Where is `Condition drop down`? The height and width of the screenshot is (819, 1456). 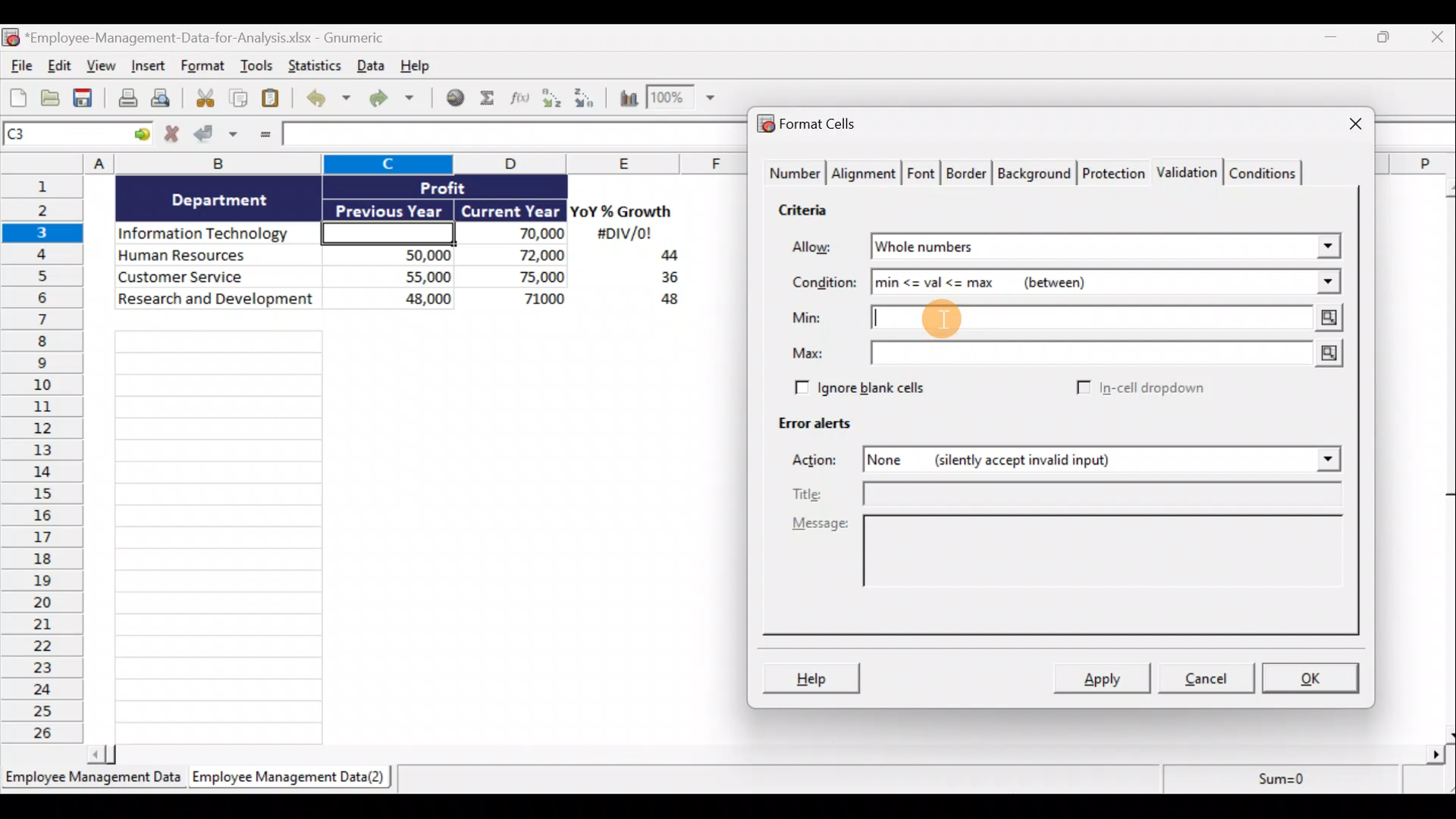
Condition drop down is located at coordinates (1329, 283).